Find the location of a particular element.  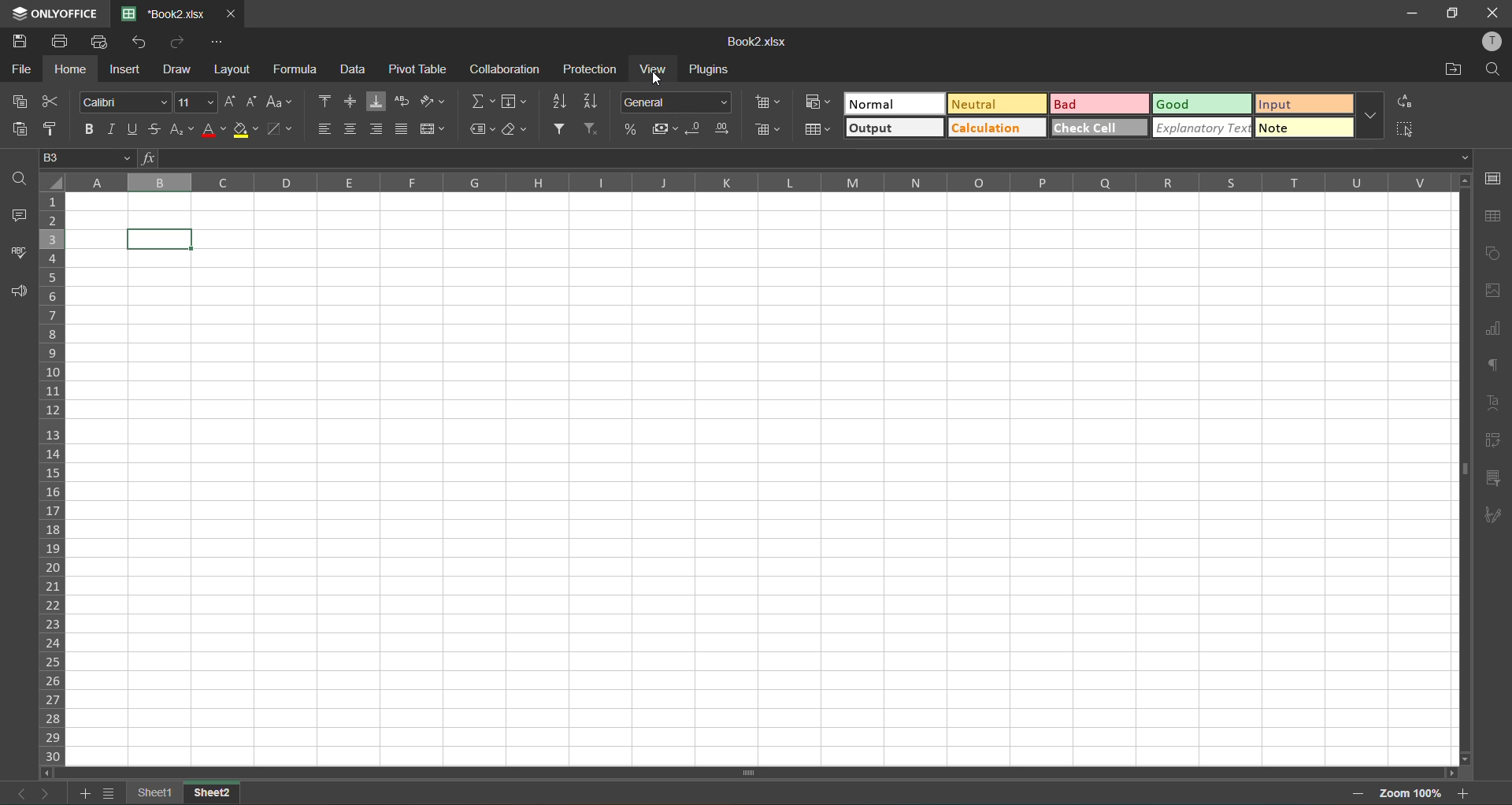

paste is located at coordinates (20, 131).